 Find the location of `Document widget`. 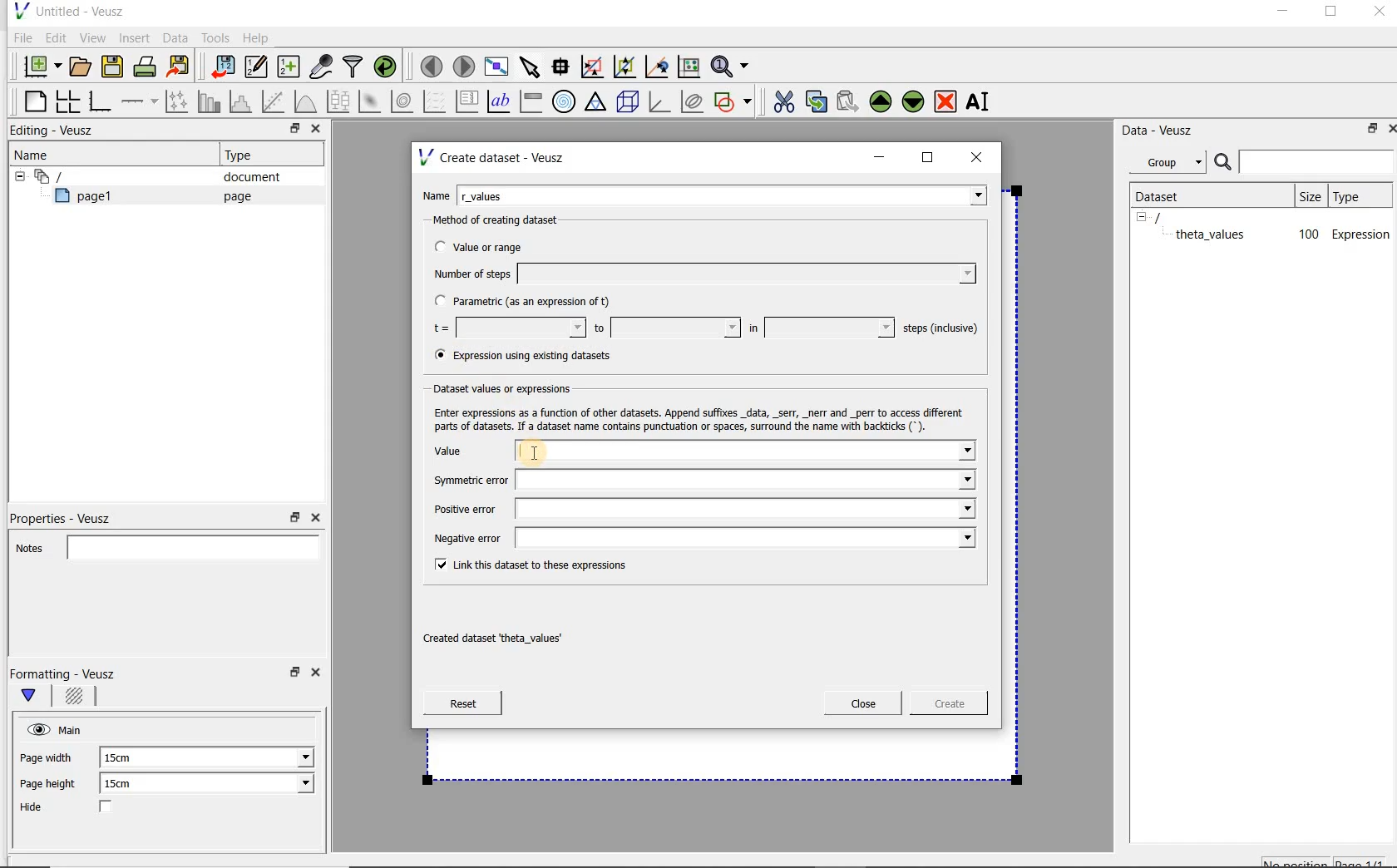

Document widget is located at coordinates (78, 176).